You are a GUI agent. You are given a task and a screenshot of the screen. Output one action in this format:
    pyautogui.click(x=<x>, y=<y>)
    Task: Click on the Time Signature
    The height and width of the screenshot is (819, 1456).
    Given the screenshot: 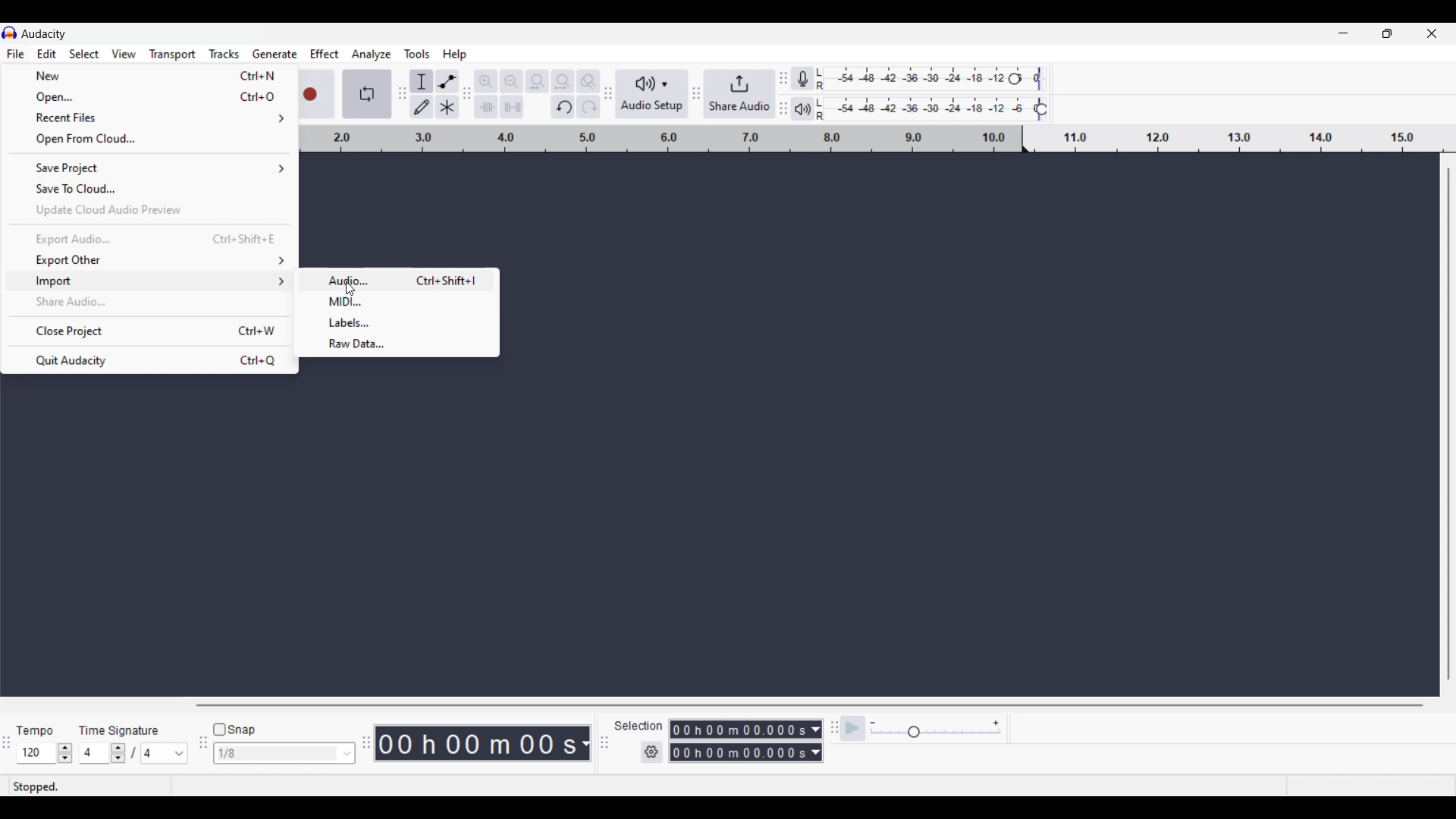 What is the action you would take?
    pyautogui.click(x=122, y=727)
    